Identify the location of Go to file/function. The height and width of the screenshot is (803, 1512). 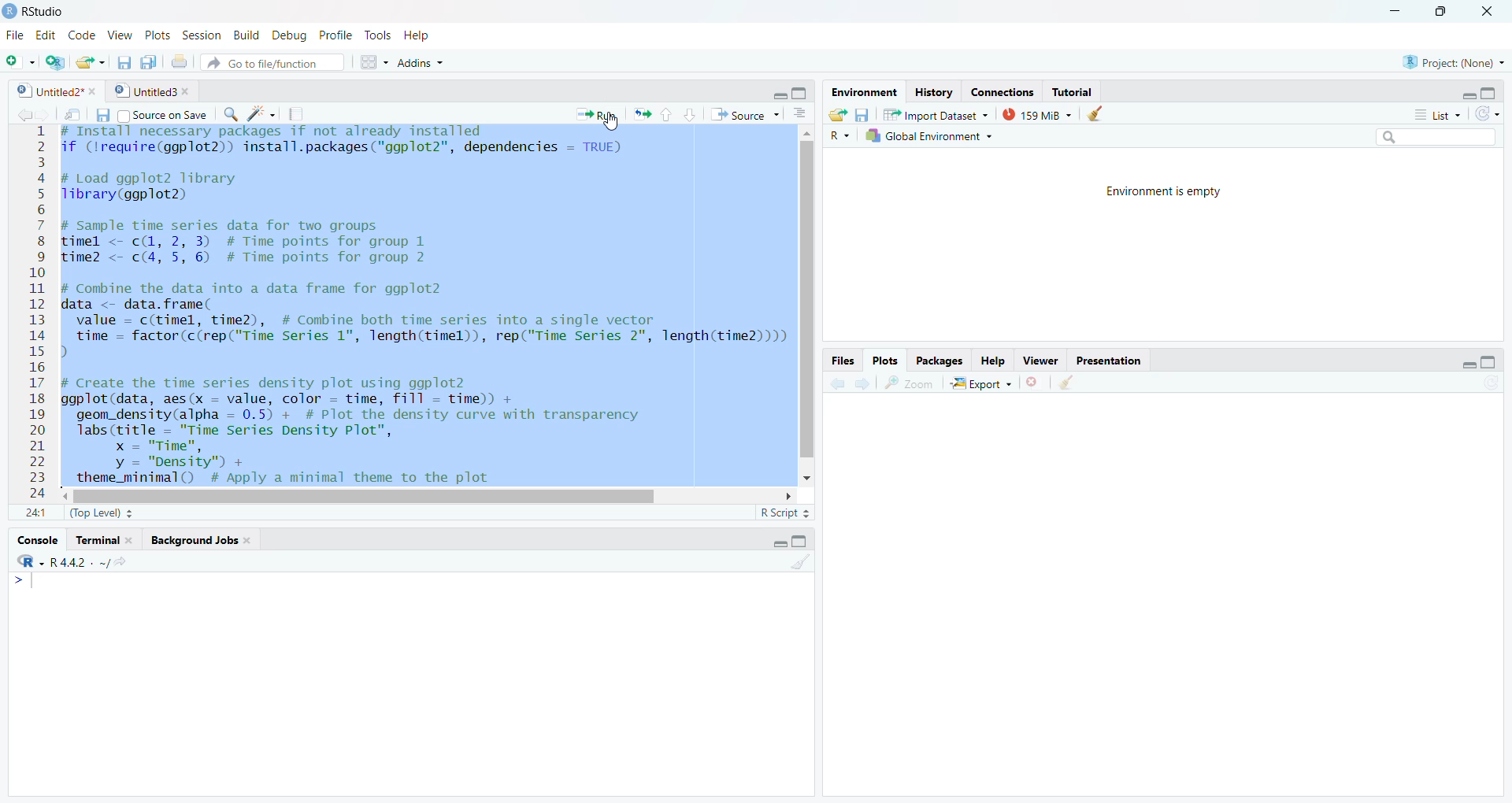
(274, 63).